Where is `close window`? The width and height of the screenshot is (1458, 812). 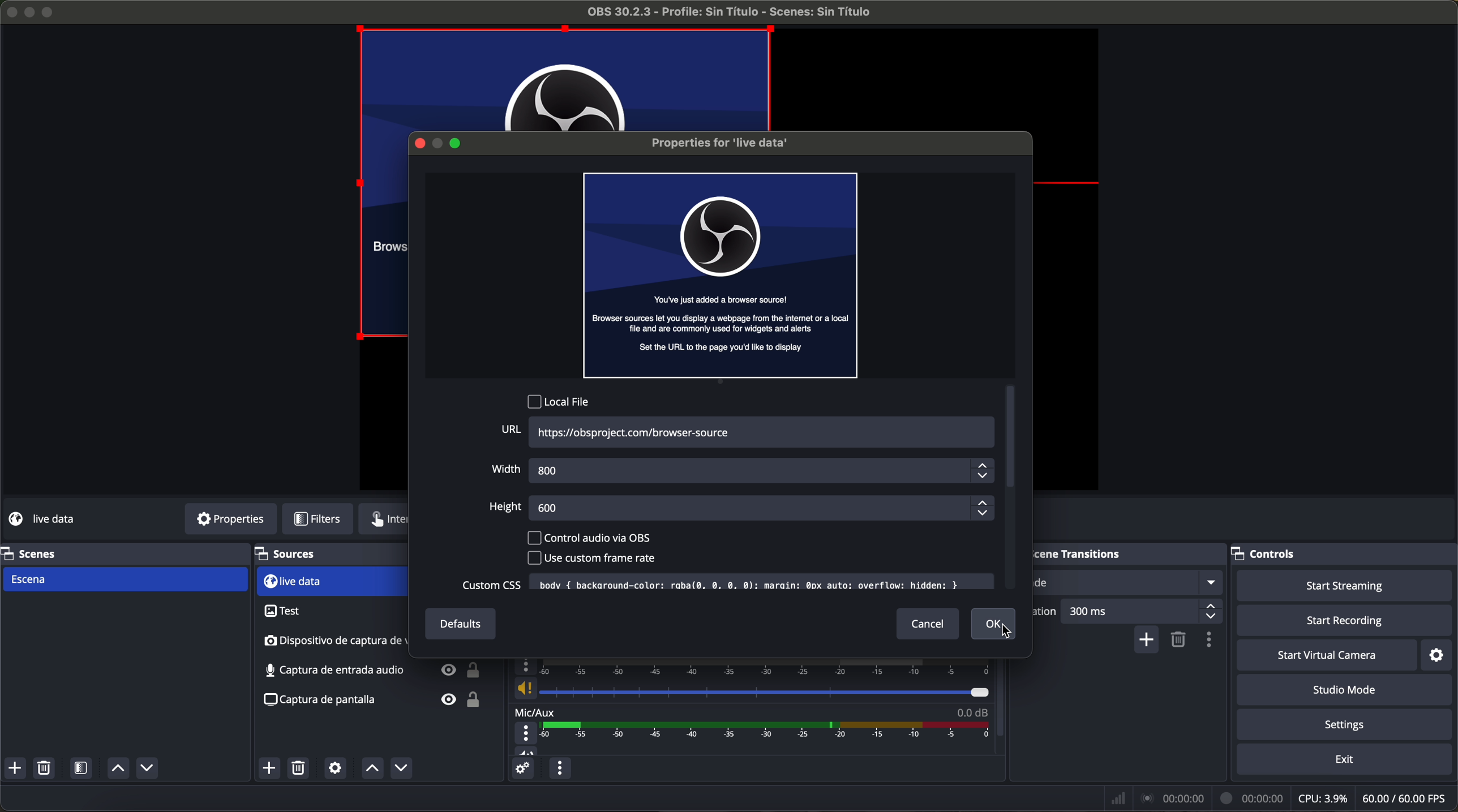 close window is located at coordinates (419, 143).